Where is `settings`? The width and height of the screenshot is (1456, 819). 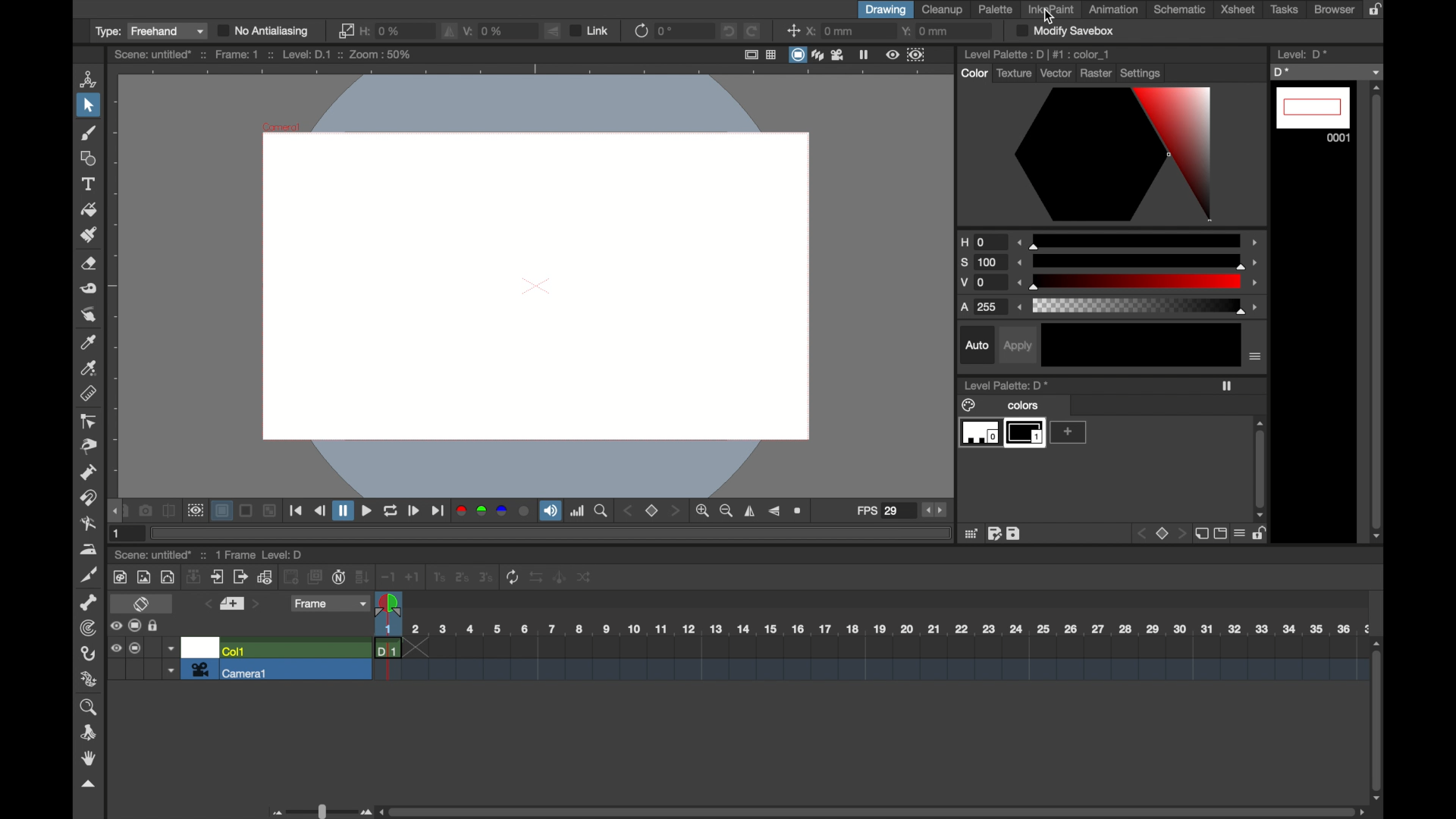 settings is located at coordinates (1141, 73).